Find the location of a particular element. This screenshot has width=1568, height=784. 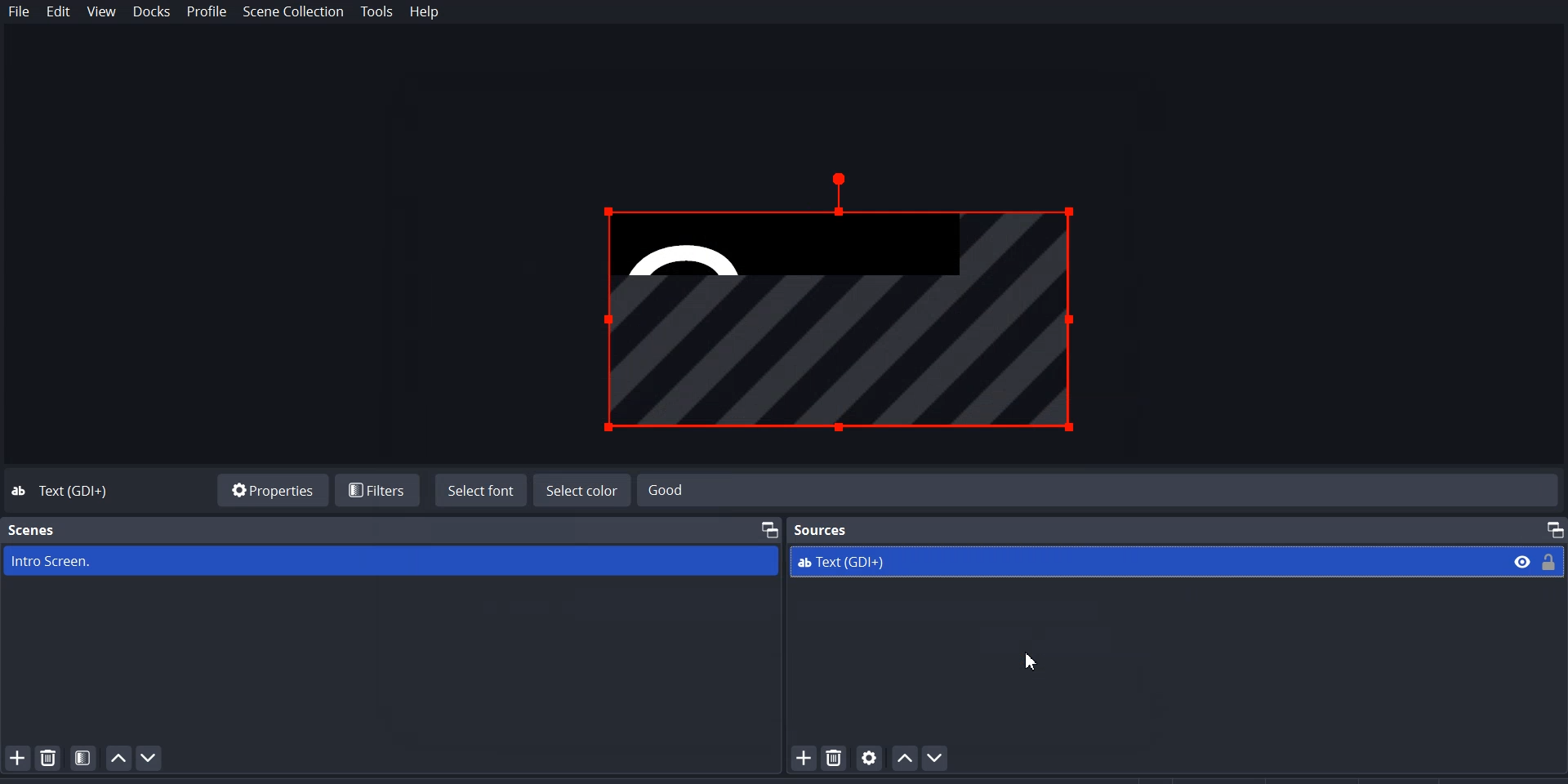

Remove Selected Scene is located at coordinates (49, 757).